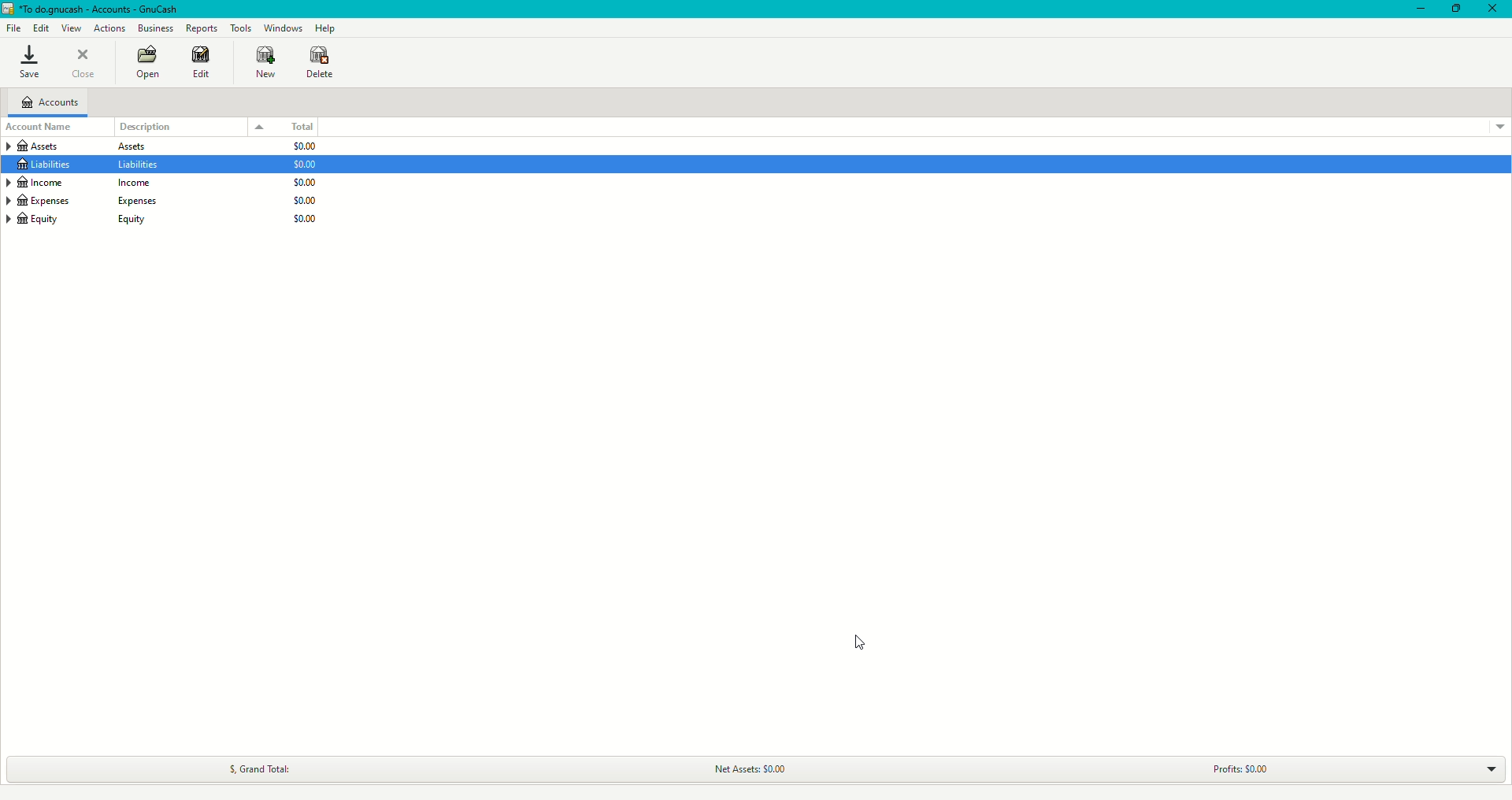  Describe the element at coordinates (91, 165) in the screenshot. I see `Liabilities` at that location.